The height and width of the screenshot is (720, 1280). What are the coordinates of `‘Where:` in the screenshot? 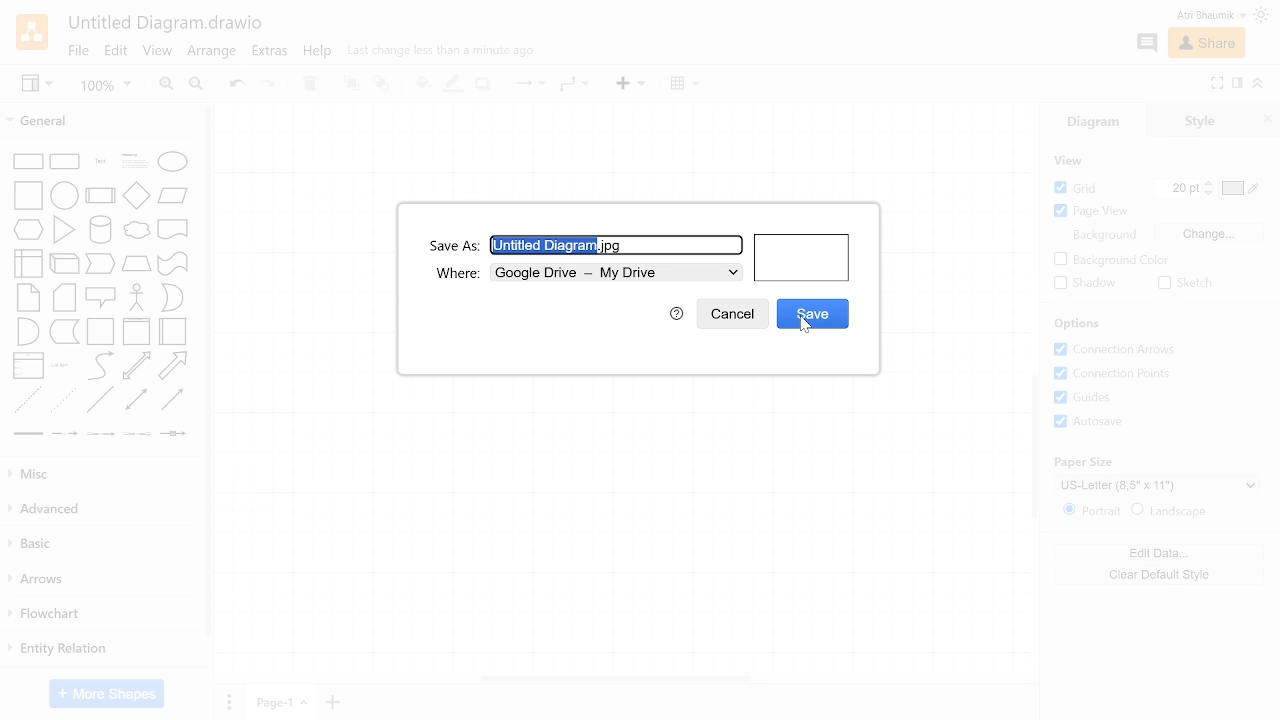 It's located at (456, 273).